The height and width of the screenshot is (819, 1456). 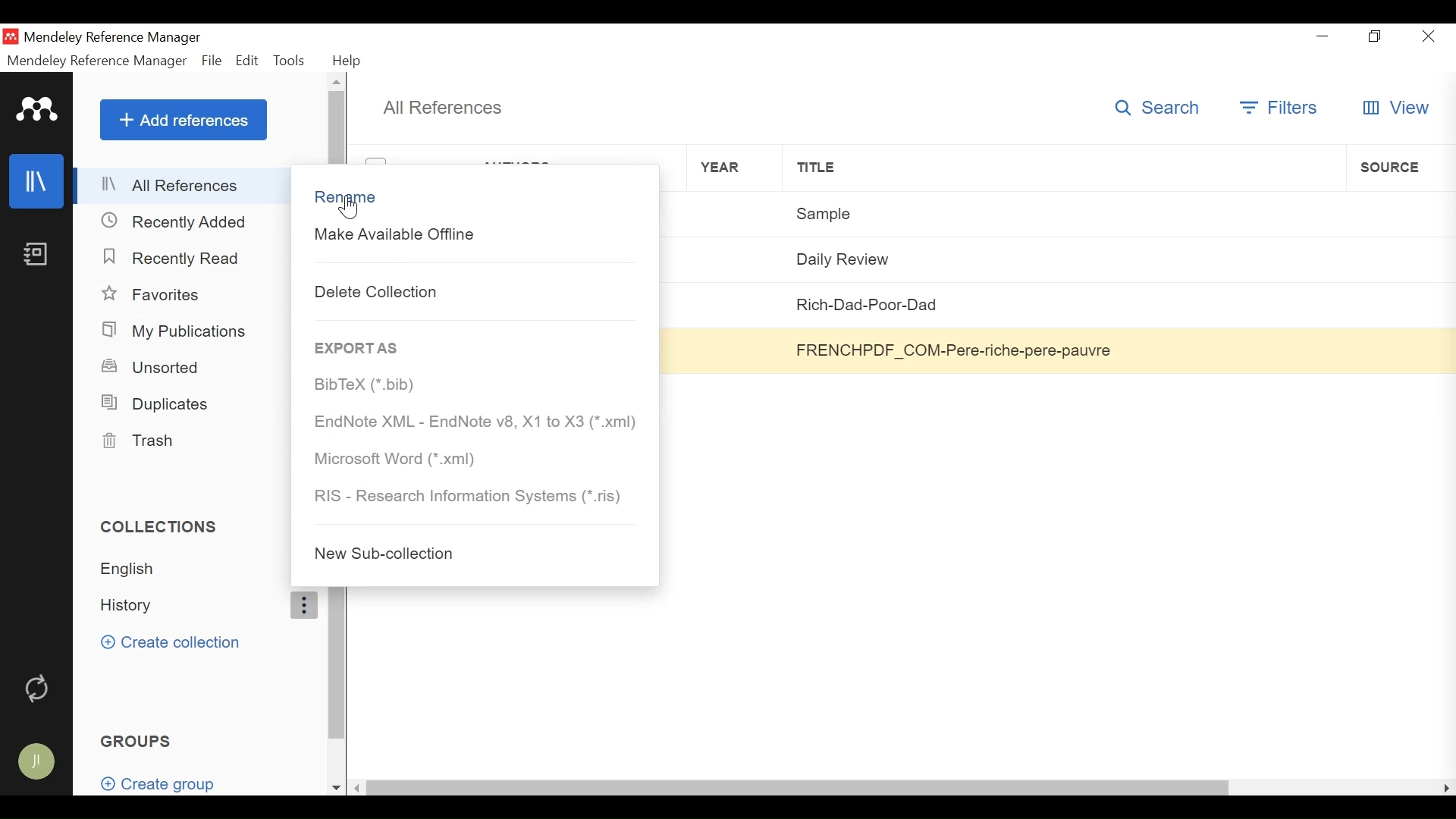 What do you see at coordinates (337, 81) in the screenshot?
I see `Scroll up` at bounding box center [337, 81].